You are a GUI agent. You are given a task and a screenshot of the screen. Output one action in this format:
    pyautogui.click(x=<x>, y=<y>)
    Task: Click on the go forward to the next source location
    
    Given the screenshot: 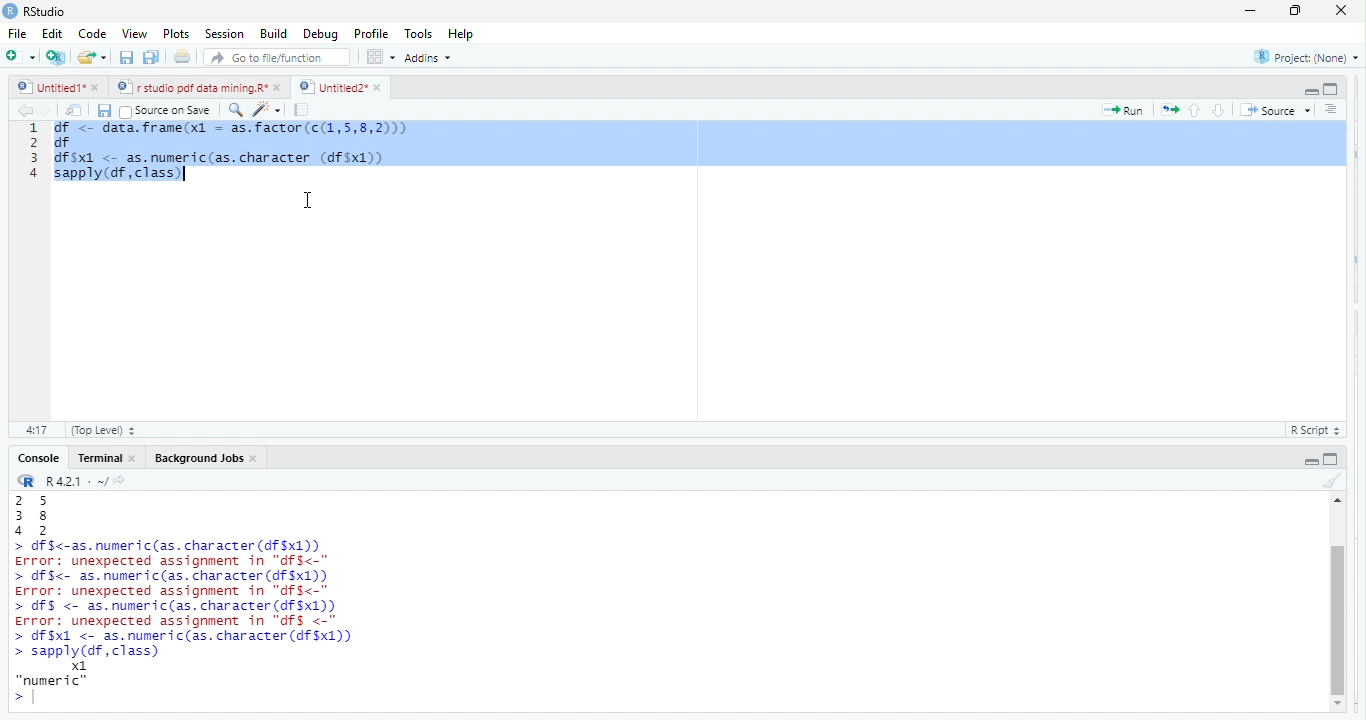 What is the action you would take?
    pyautogui.click(x=49, y=110)
    